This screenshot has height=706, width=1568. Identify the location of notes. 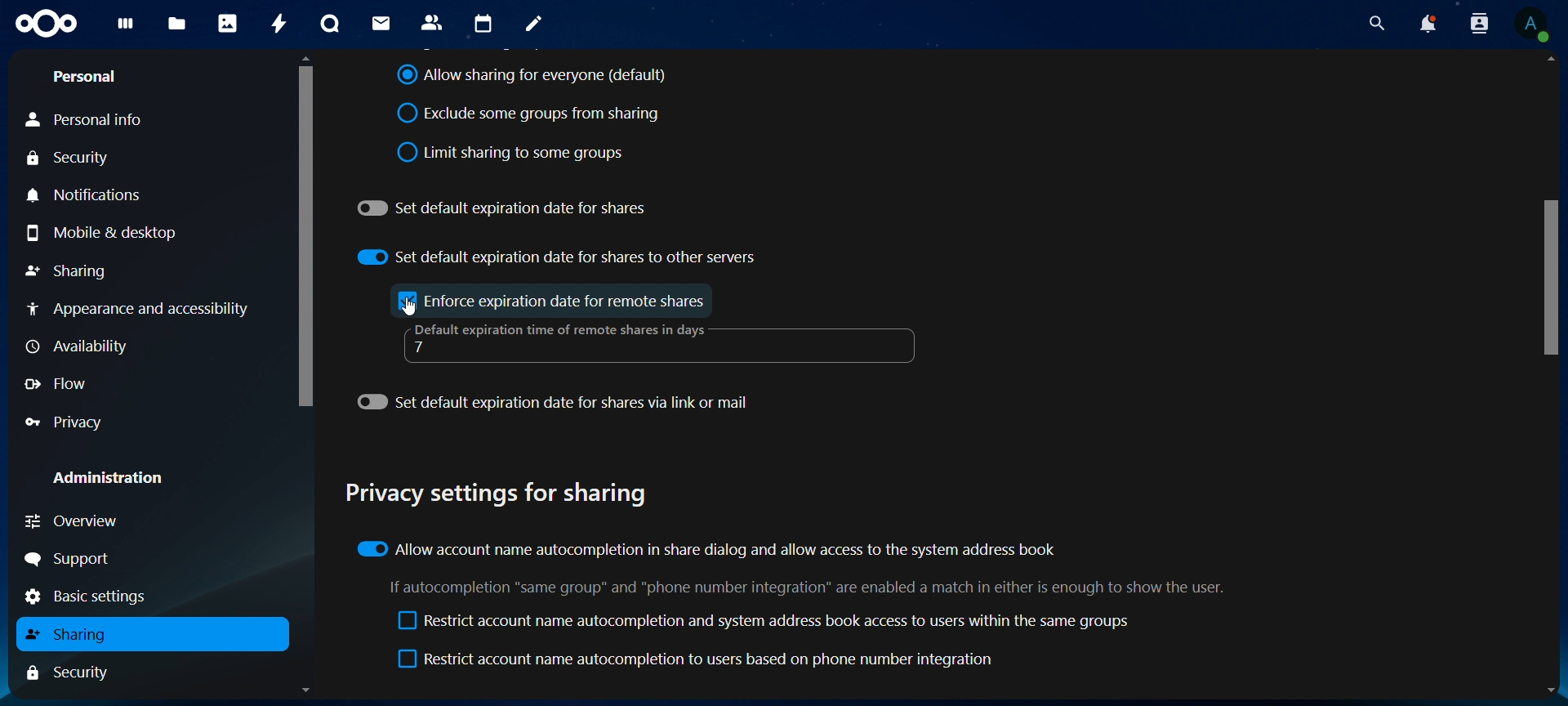
(533, 24).